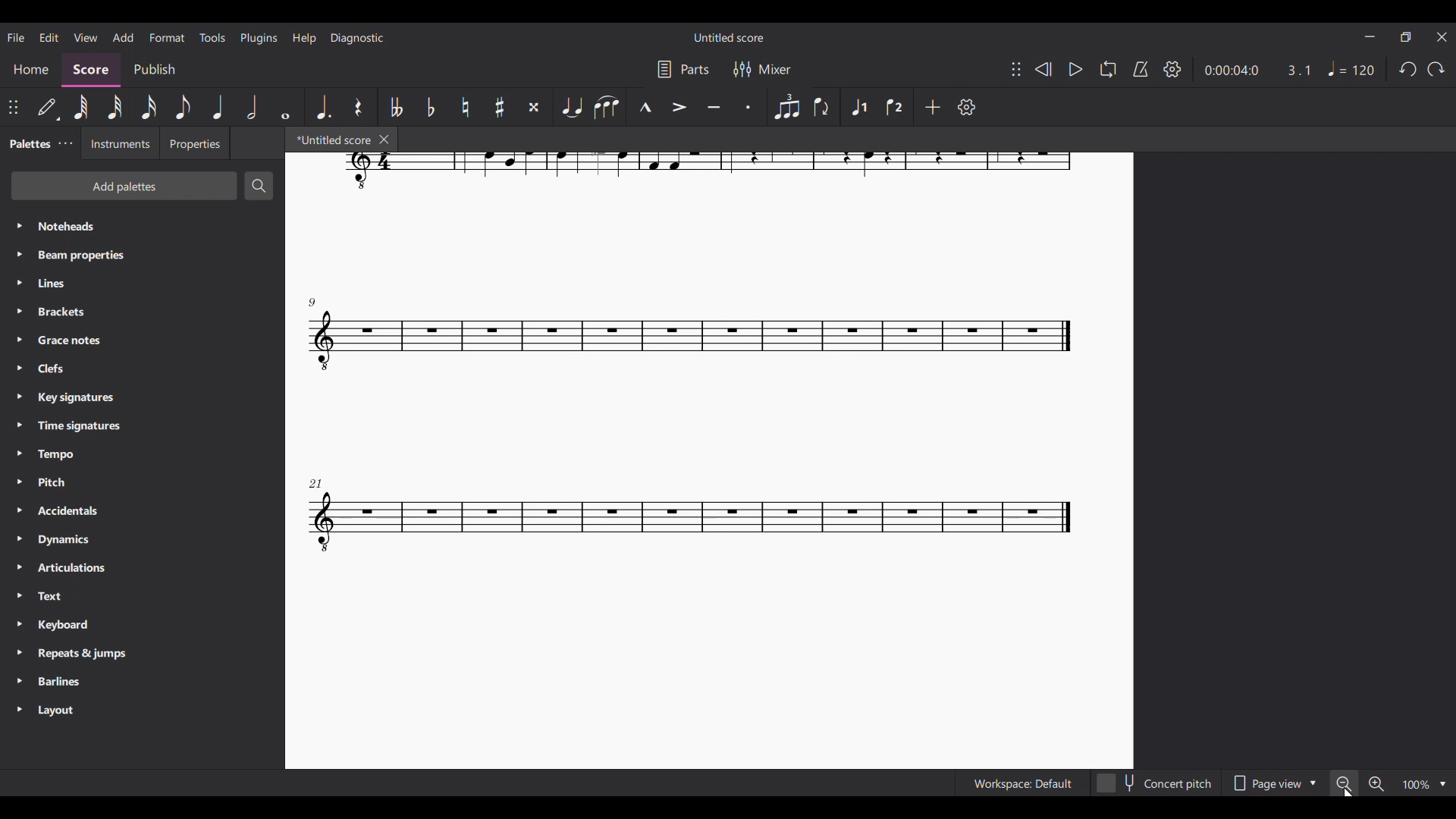  Describe the element at coordinates (330, 139) in the screenshot. I see `*Untitle score, current tab` at that location.